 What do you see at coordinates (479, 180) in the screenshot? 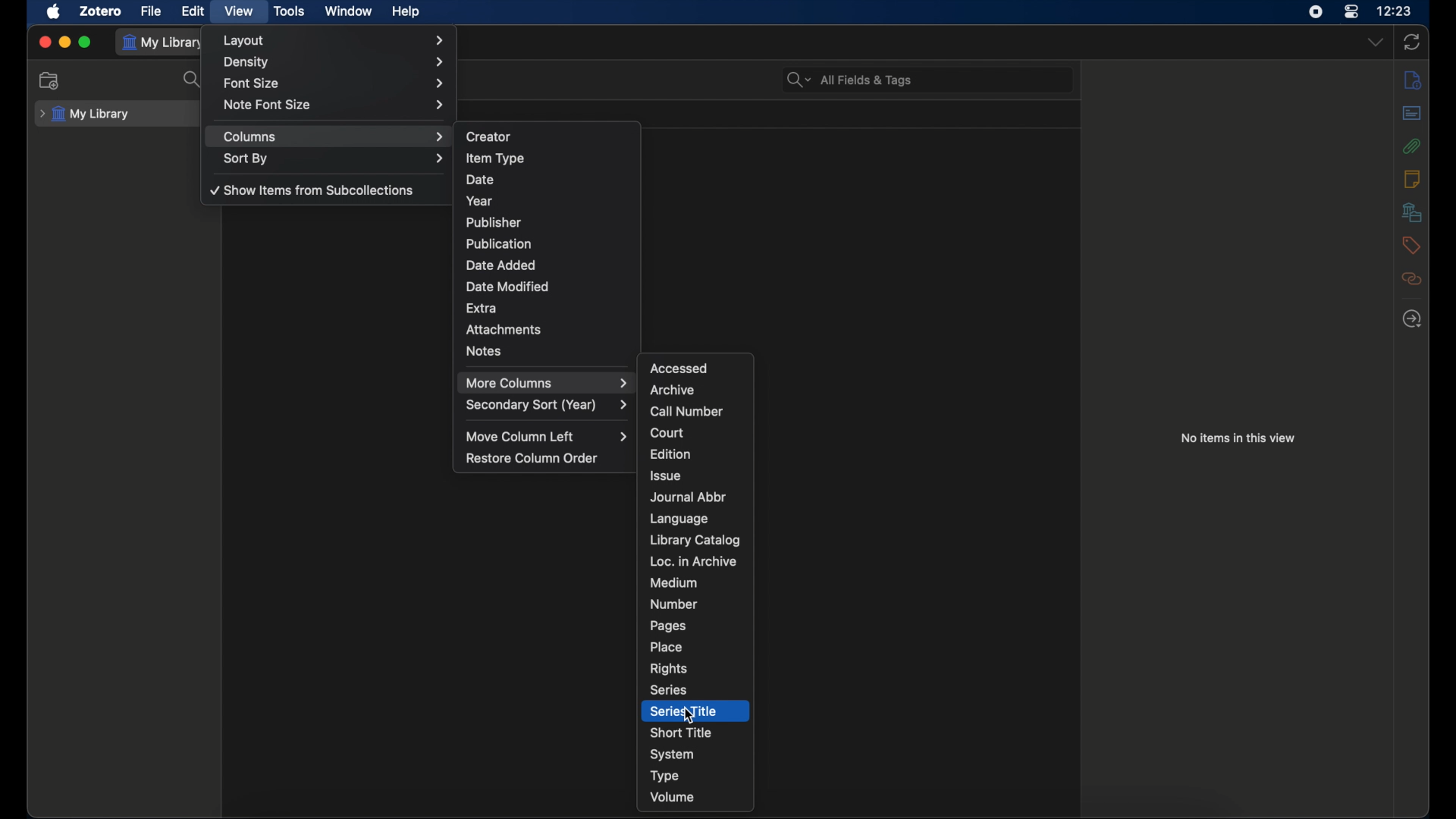
I see `date` at bounding box center [479, 180].